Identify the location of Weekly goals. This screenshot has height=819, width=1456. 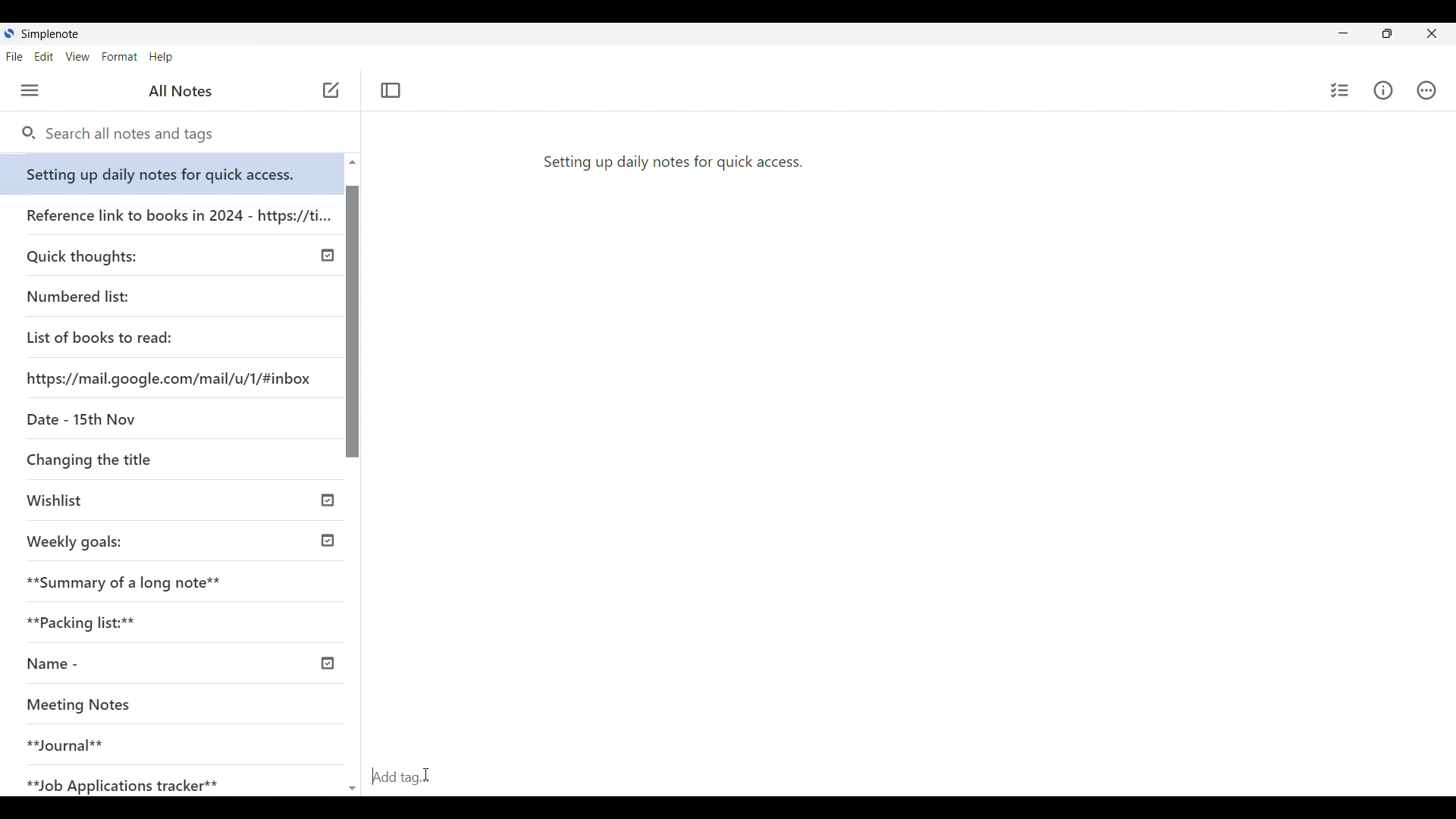
(74, 540).